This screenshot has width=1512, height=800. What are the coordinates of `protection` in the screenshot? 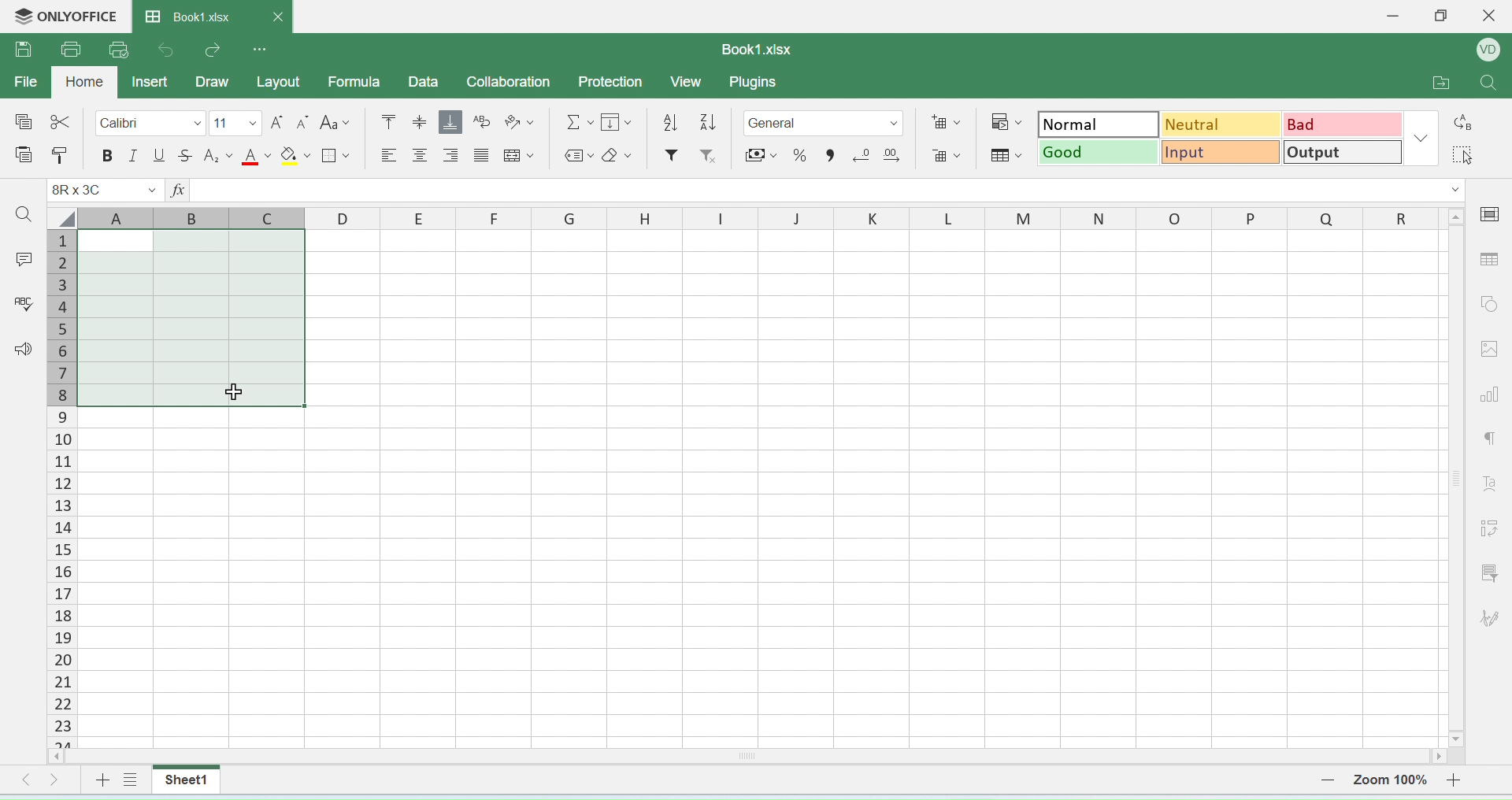 It's located at (608, 82).